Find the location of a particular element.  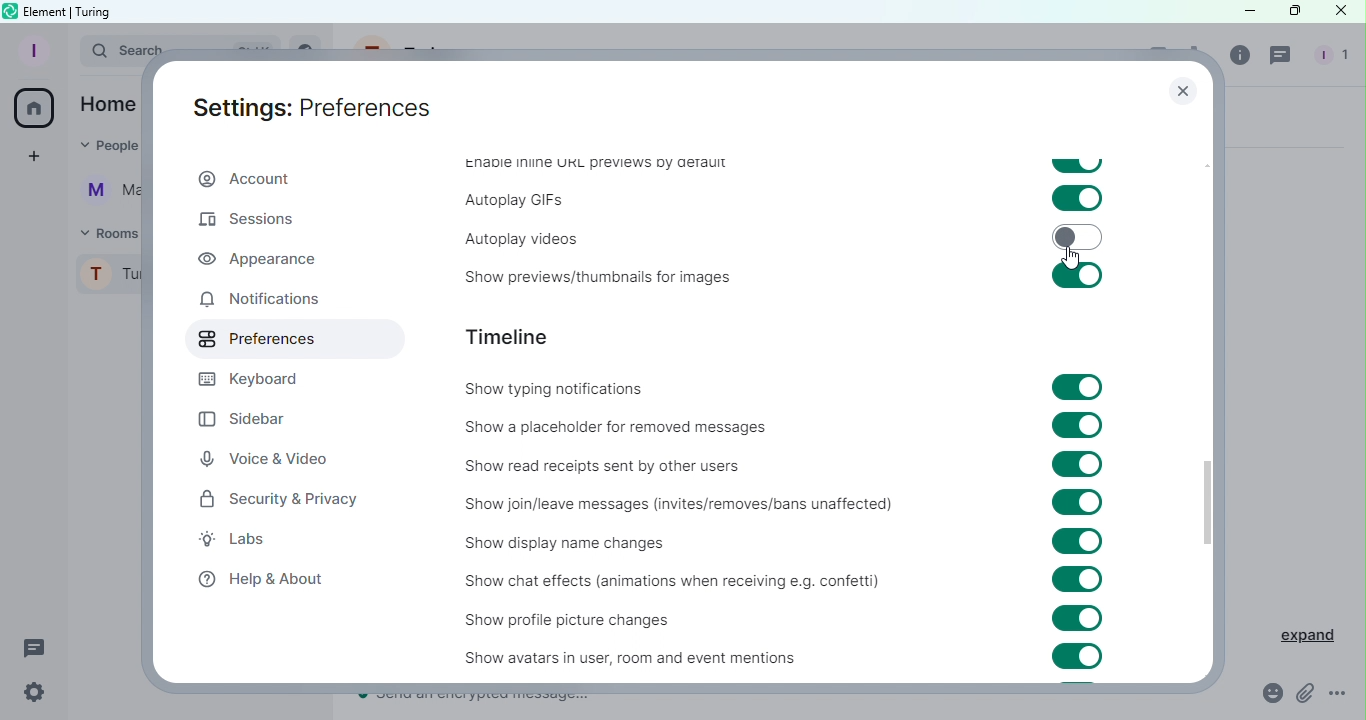

Show avatars in user. room and event mentions is located at coordinates (606, 657).